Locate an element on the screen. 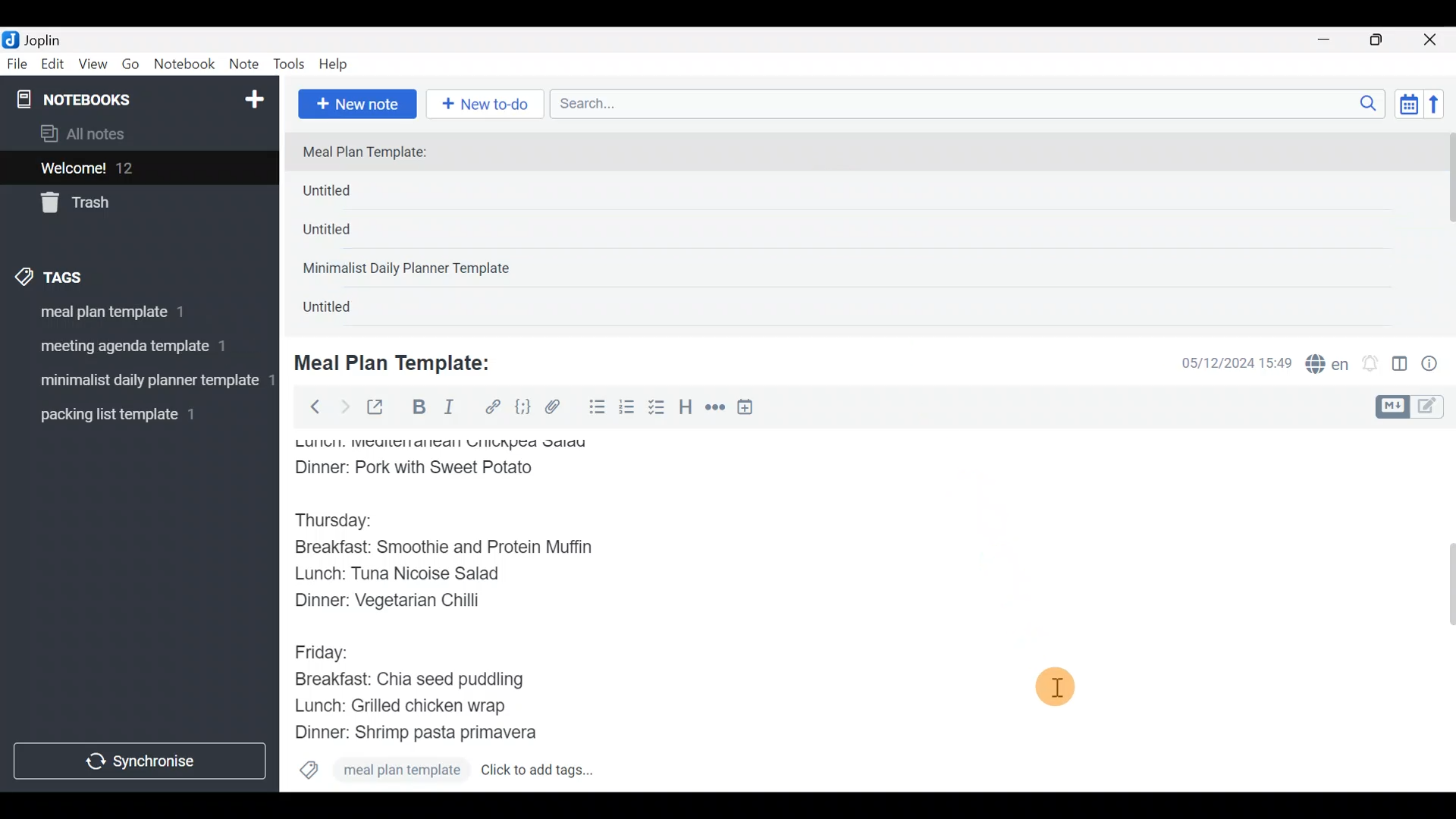  Horizontal rule is located at coordinates (715, 409).